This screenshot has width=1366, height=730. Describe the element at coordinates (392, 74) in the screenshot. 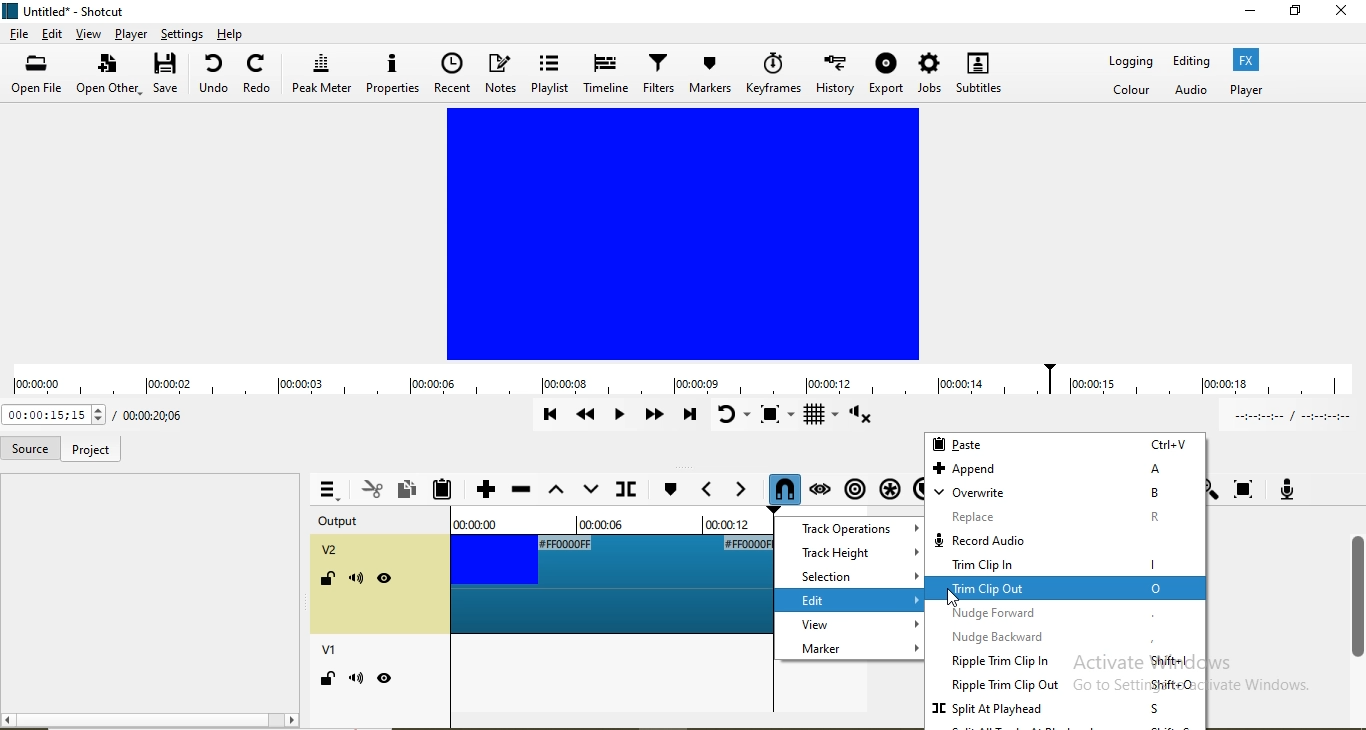

I see `properties` at that location.